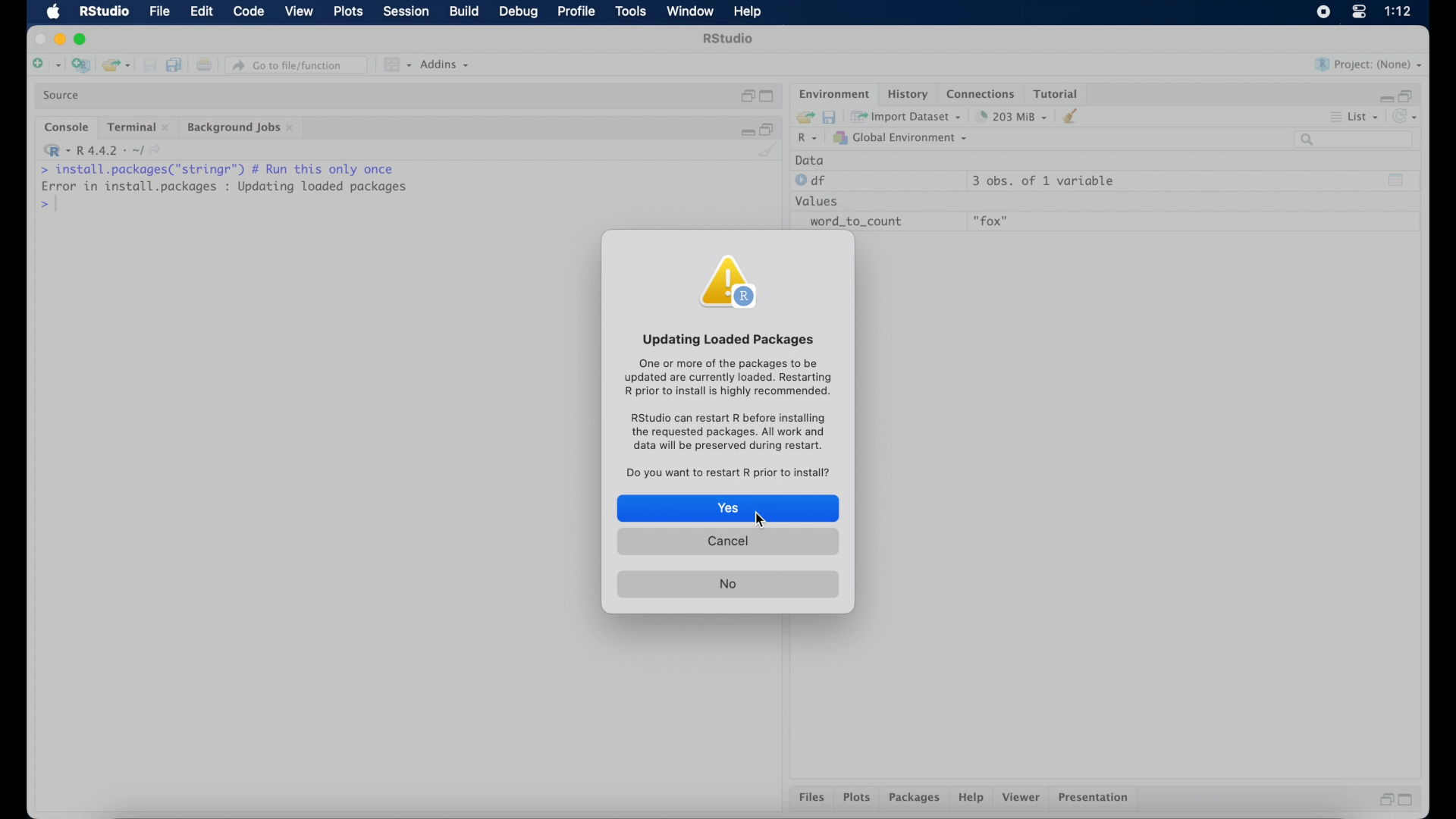 The image size is (1456, 819). I want to click on dialog box, so click(734, 282).